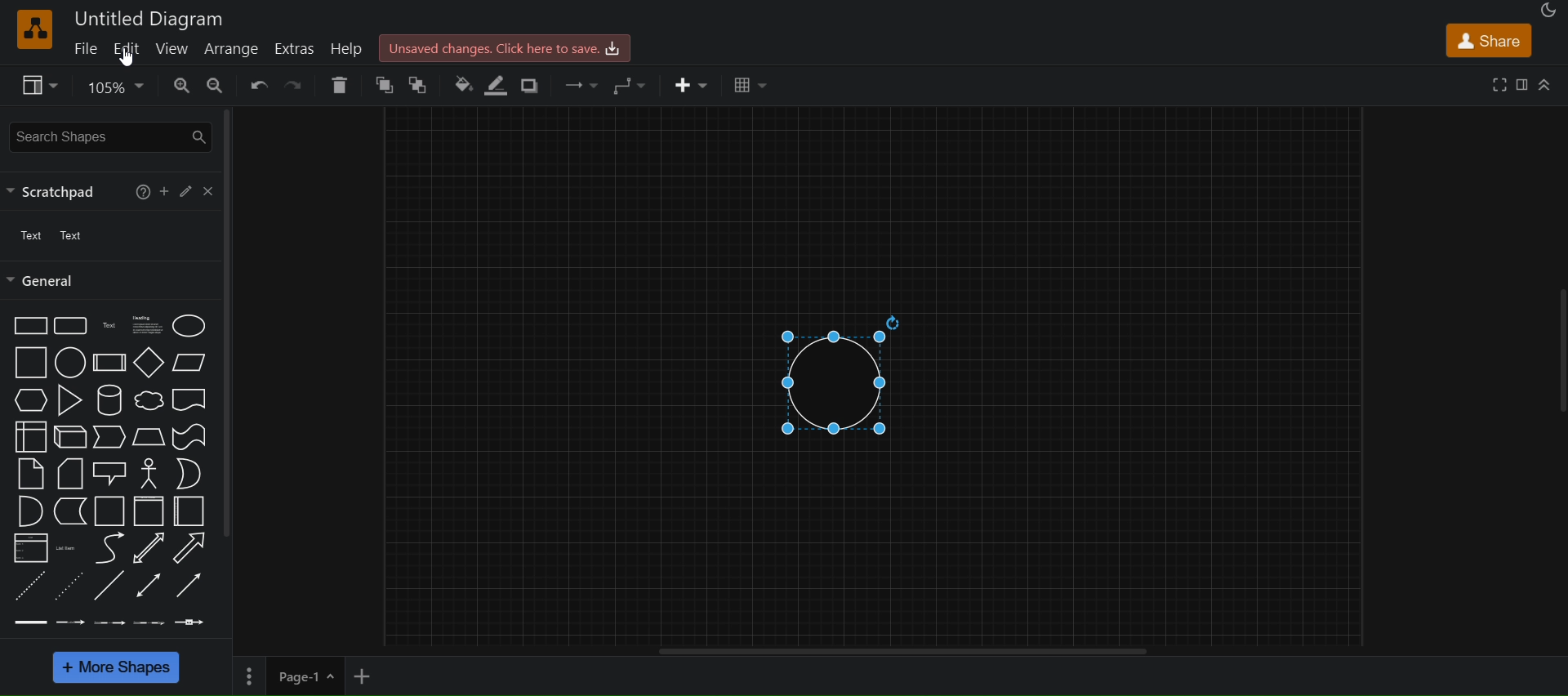 The height and width of the screenshot is (696, 1568). Describe the element at coordinates (29, 364) in the screenshot. I see `square` at that location.